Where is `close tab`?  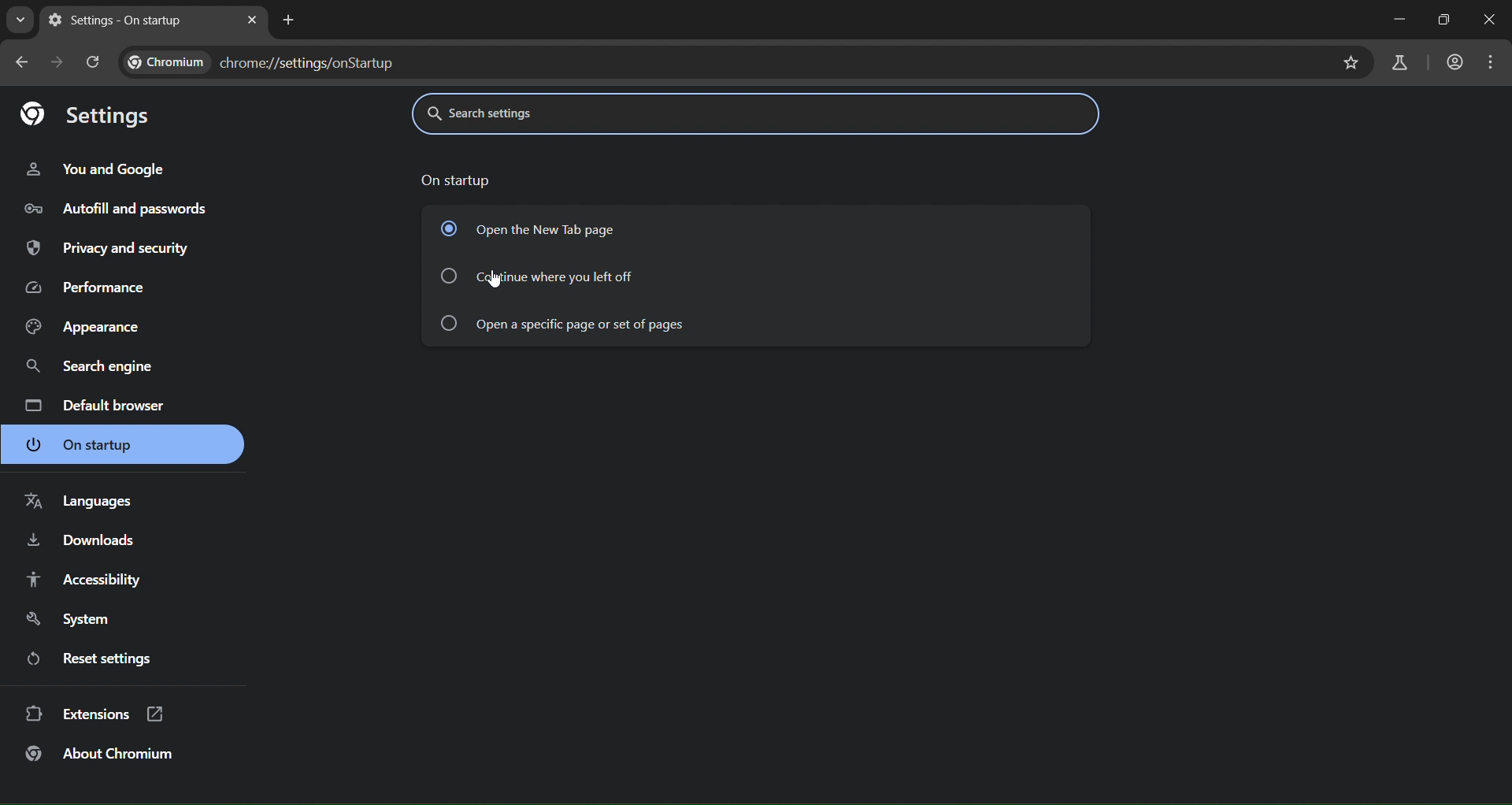 close tab is located at coordinates (254, 20).